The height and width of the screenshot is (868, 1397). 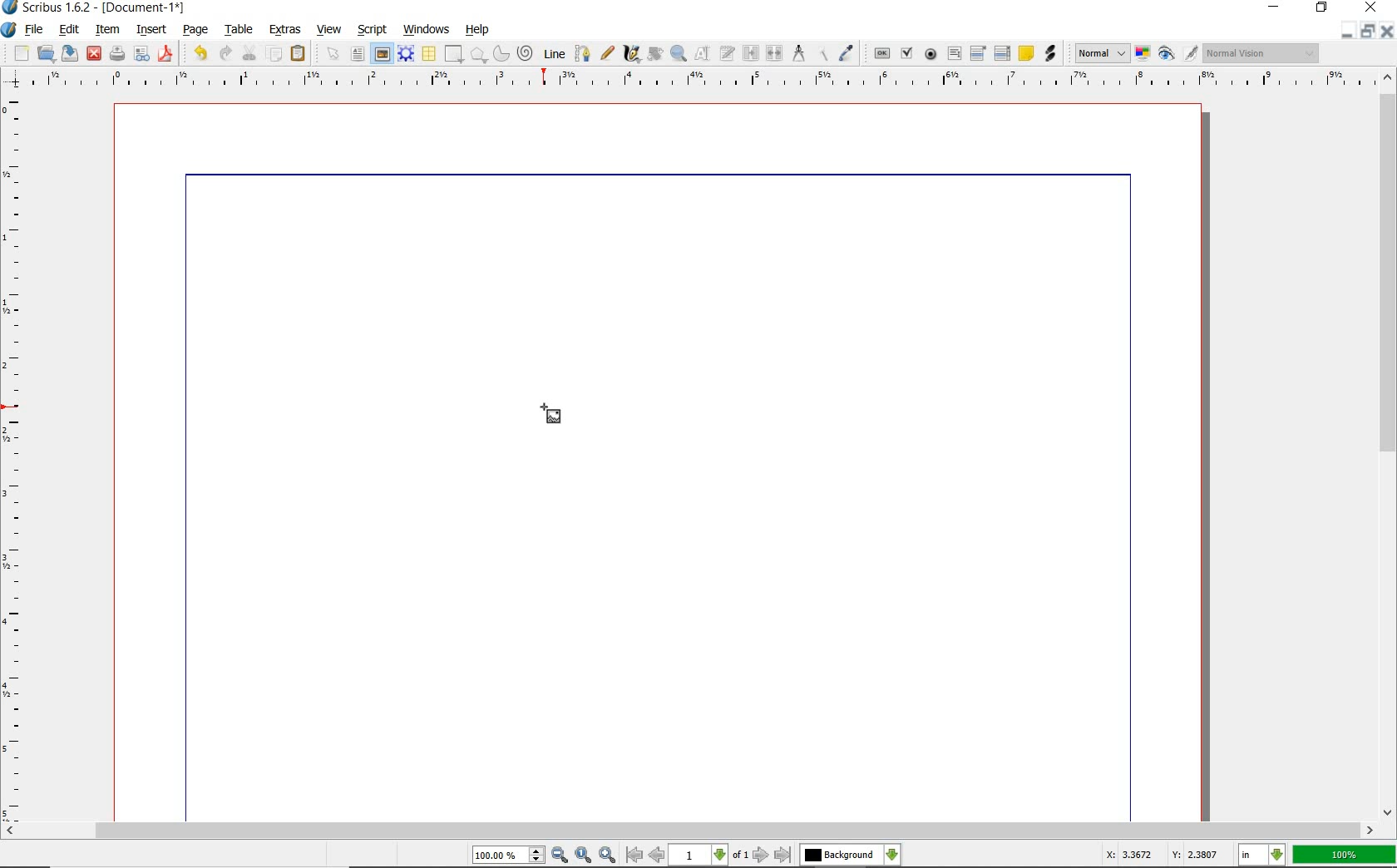 What do you see at coordinates (240, 31) in the screenshot?
I see `table` at bounding box center [240, 31].